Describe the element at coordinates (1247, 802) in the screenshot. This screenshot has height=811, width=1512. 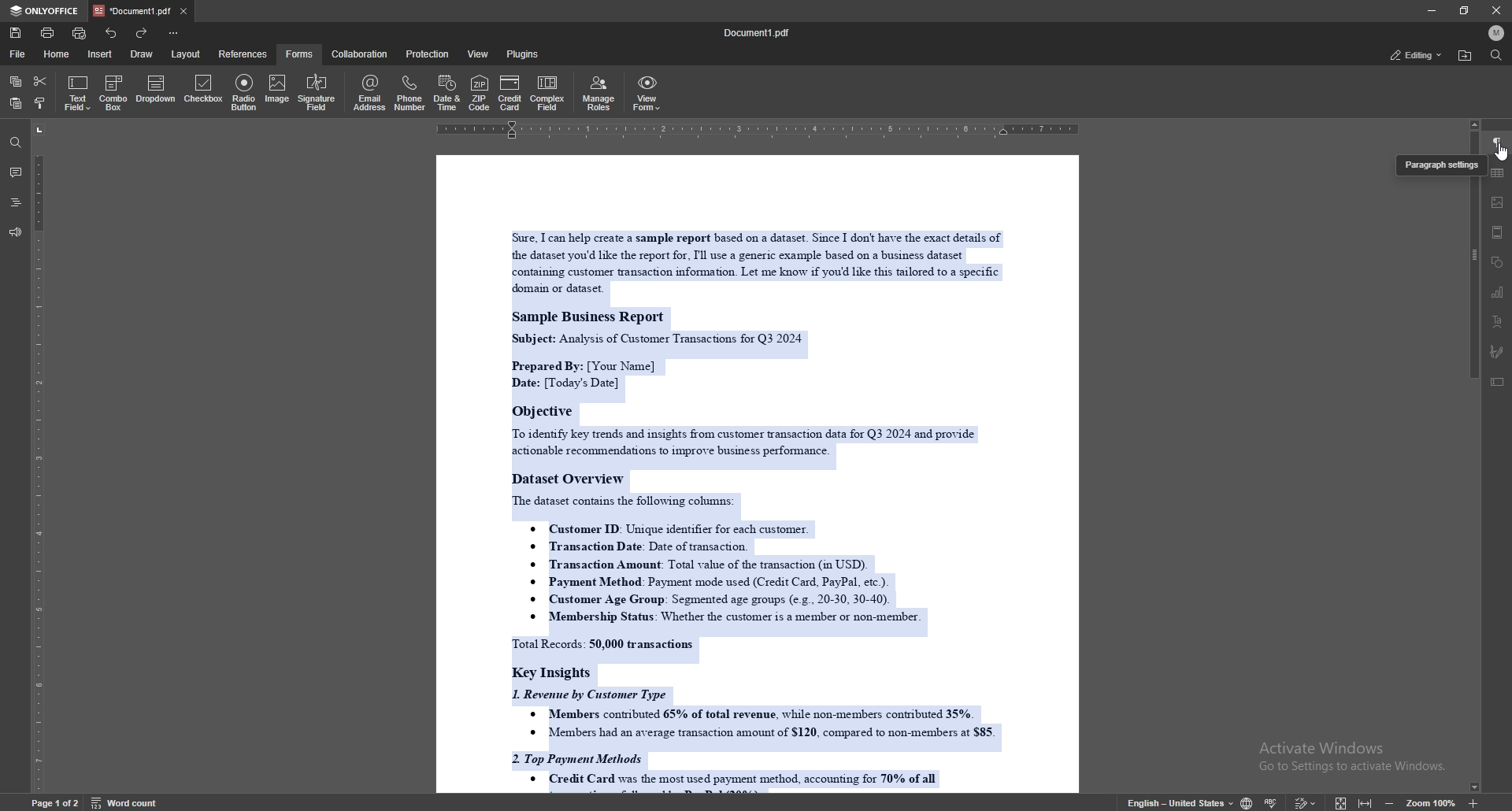
I see `change doc language` at that location.